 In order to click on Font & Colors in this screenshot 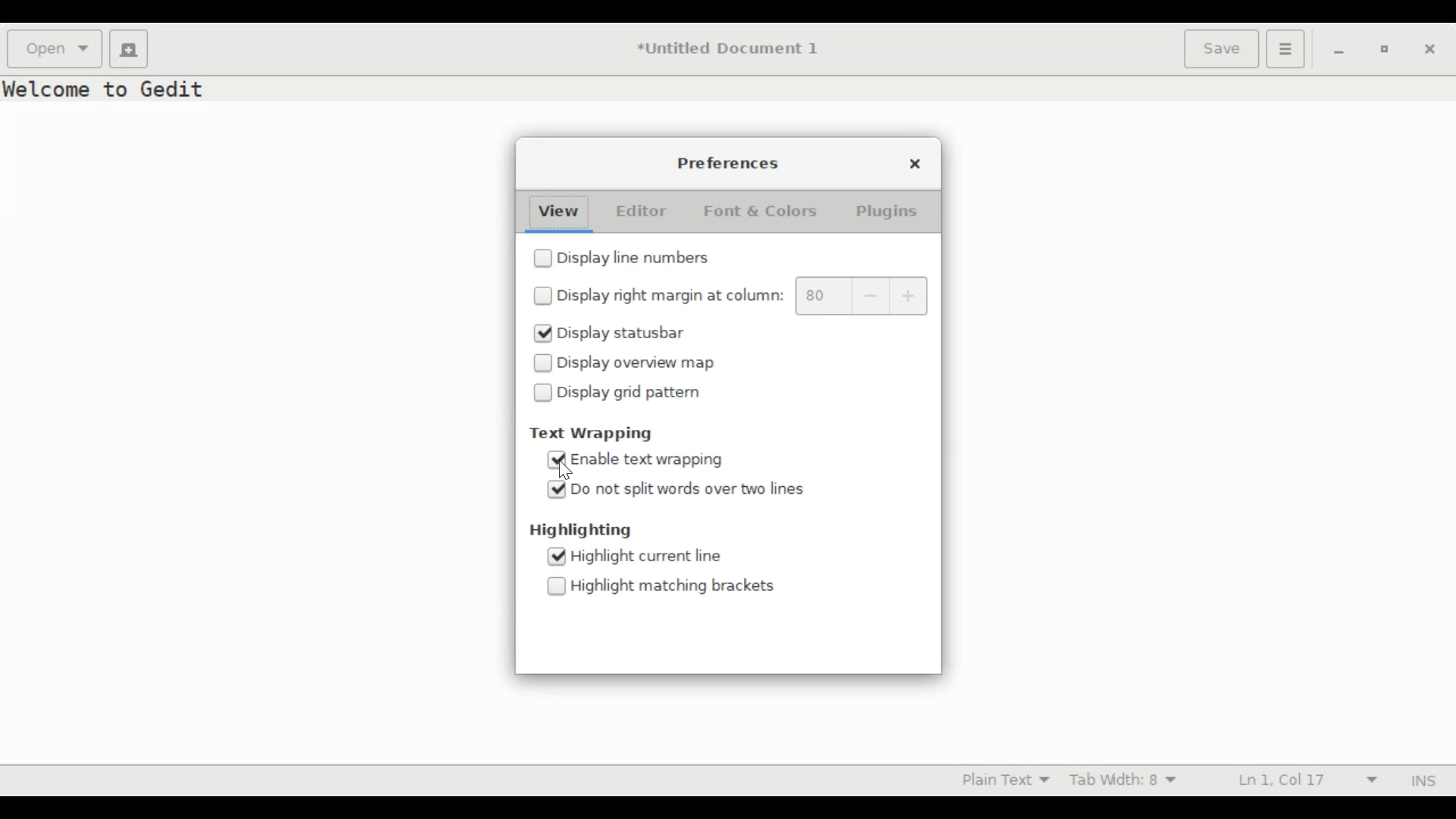, I will do `click(764, 212)`.